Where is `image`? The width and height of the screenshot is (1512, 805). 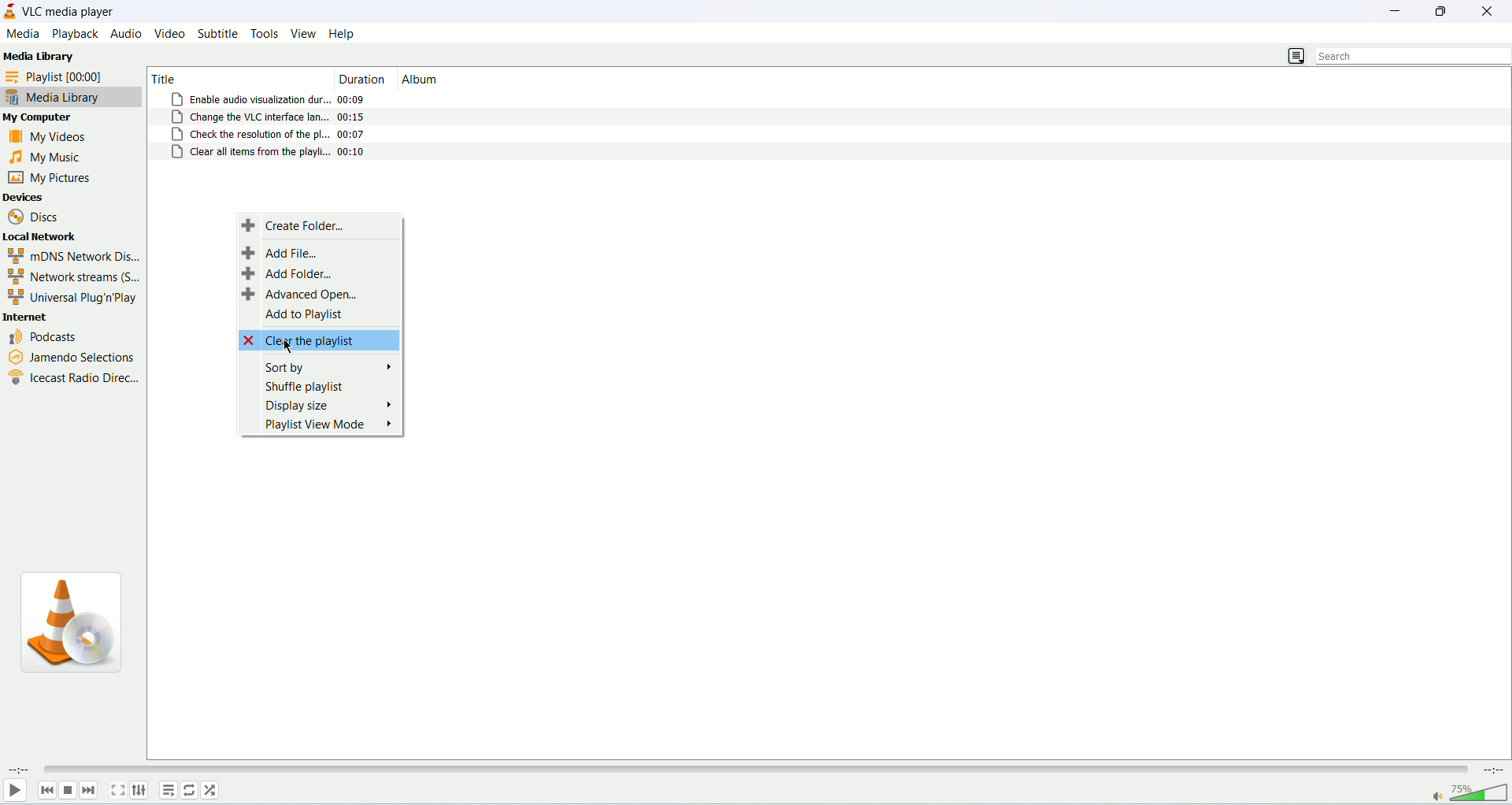 image is located at coordinates (73, 625).